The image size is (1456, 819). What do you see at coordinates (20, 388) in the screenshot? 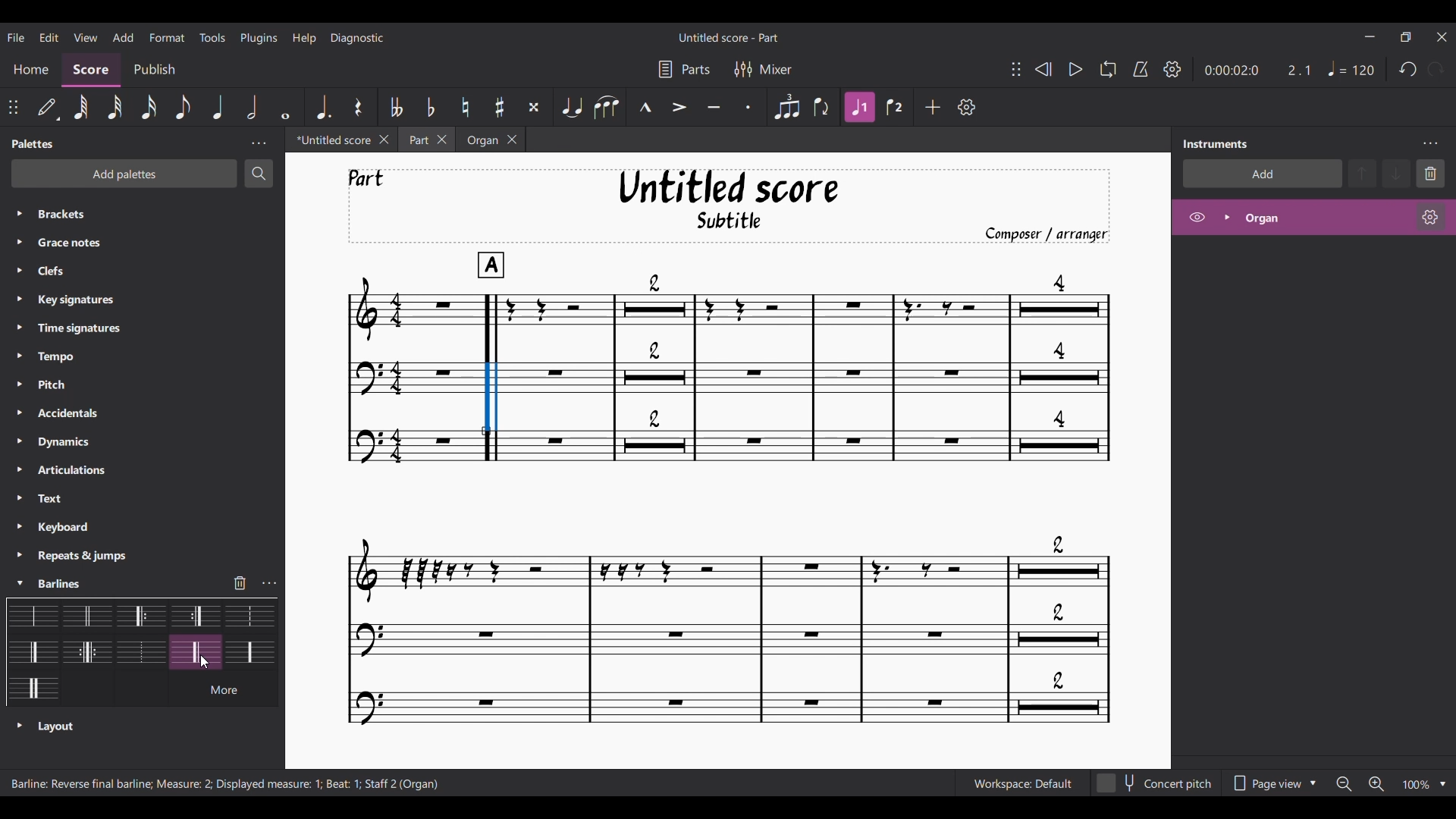
I see `Click to expand respective palette` at bounding box center [20, 388].